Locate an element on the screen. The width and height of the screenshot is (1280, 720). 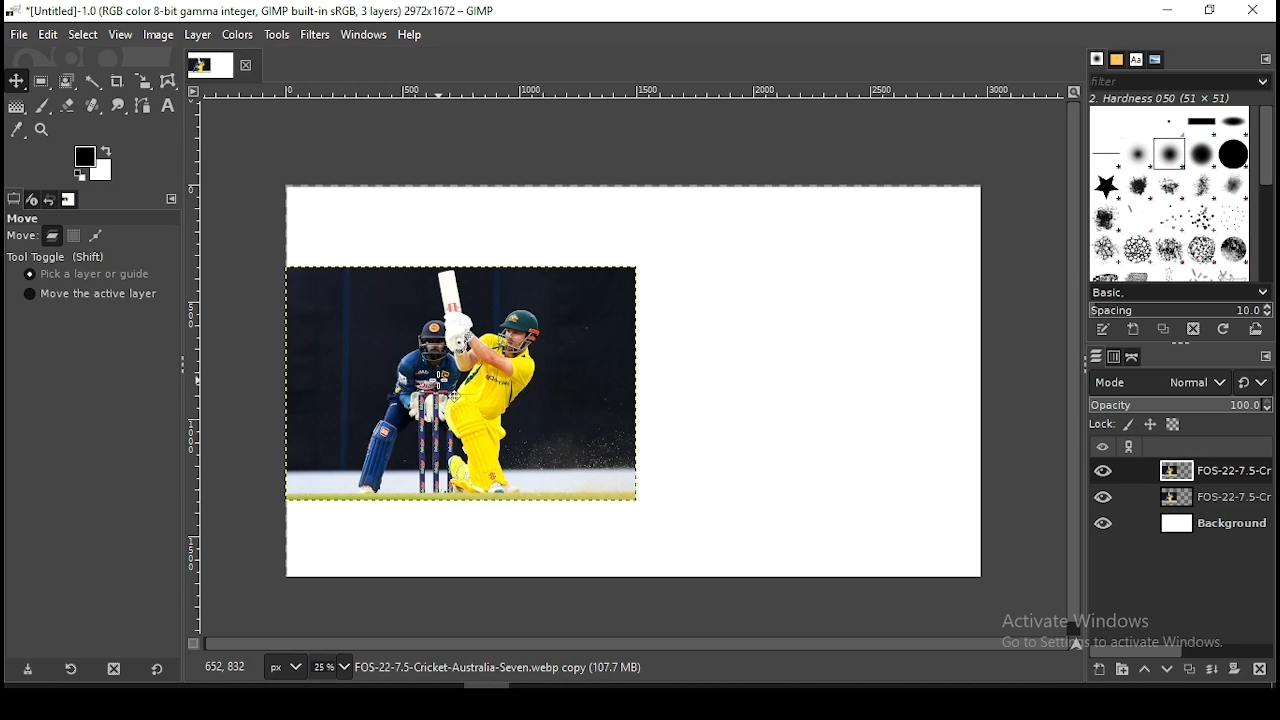
patterns is located at coordinates (1117, 59).